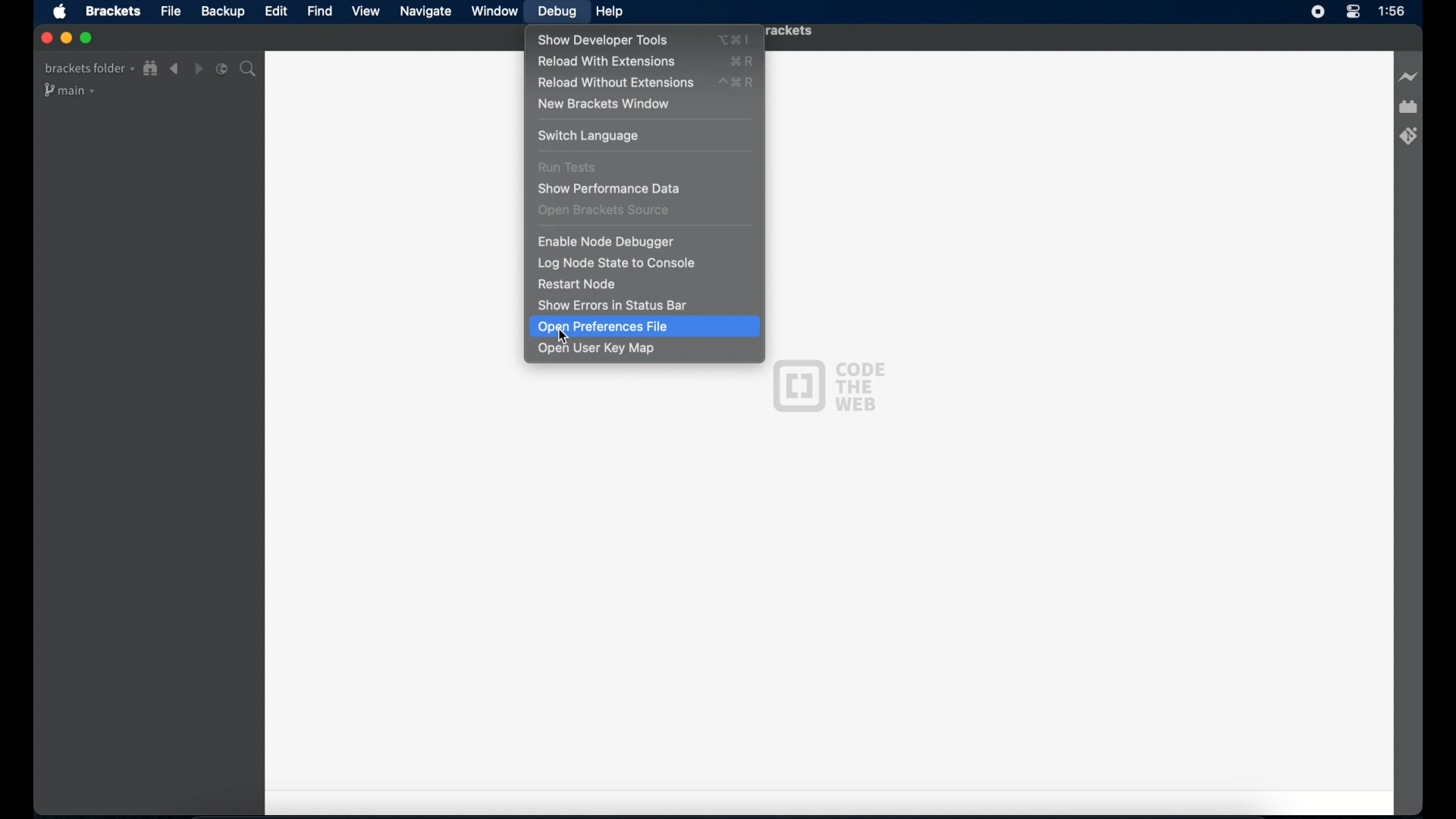 This screenshot has height=819, width=1456. I want to click on search icon, so click(250, 70).